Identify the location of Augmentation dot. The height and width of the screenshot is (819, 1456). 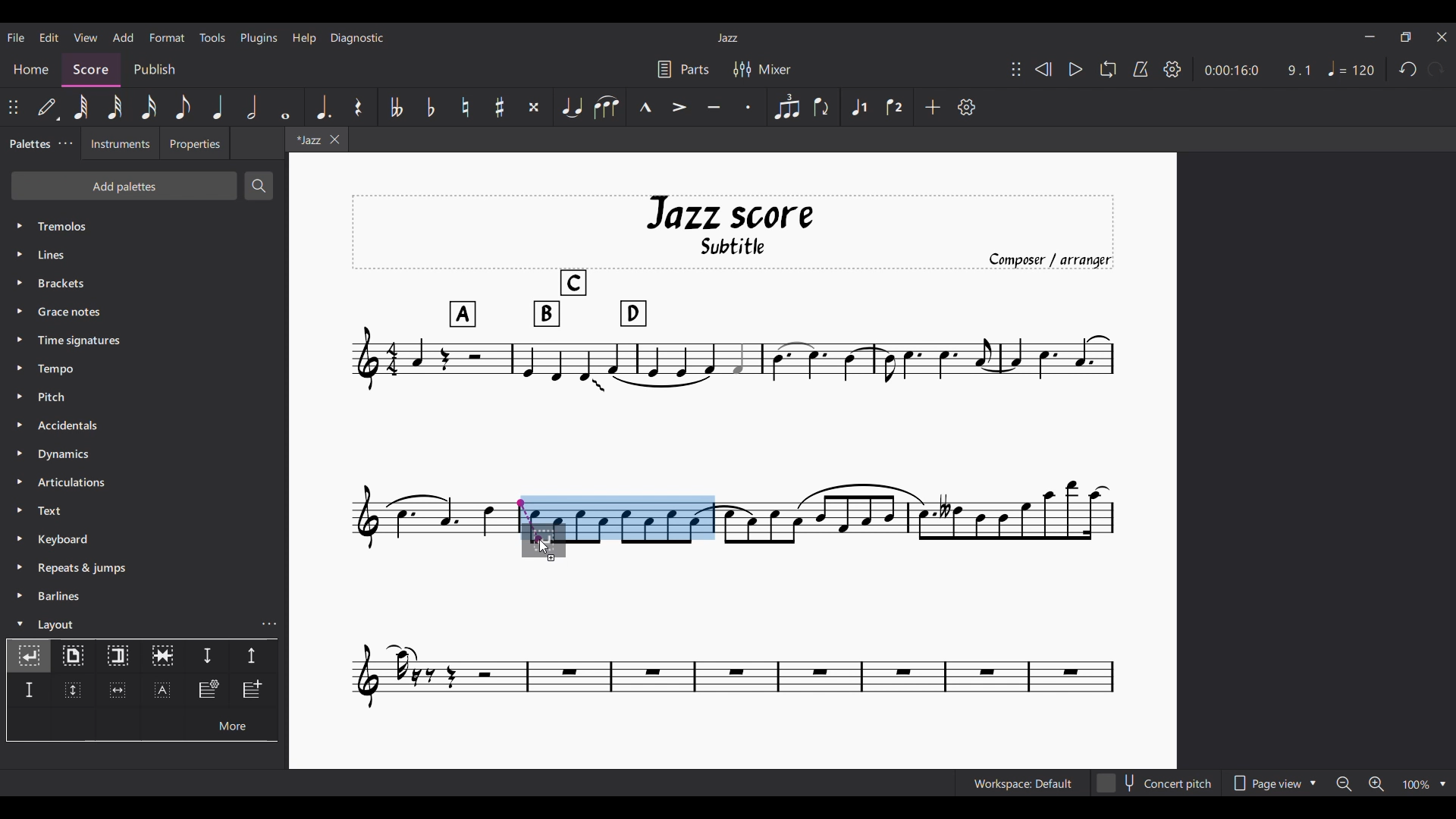
(323, 107).